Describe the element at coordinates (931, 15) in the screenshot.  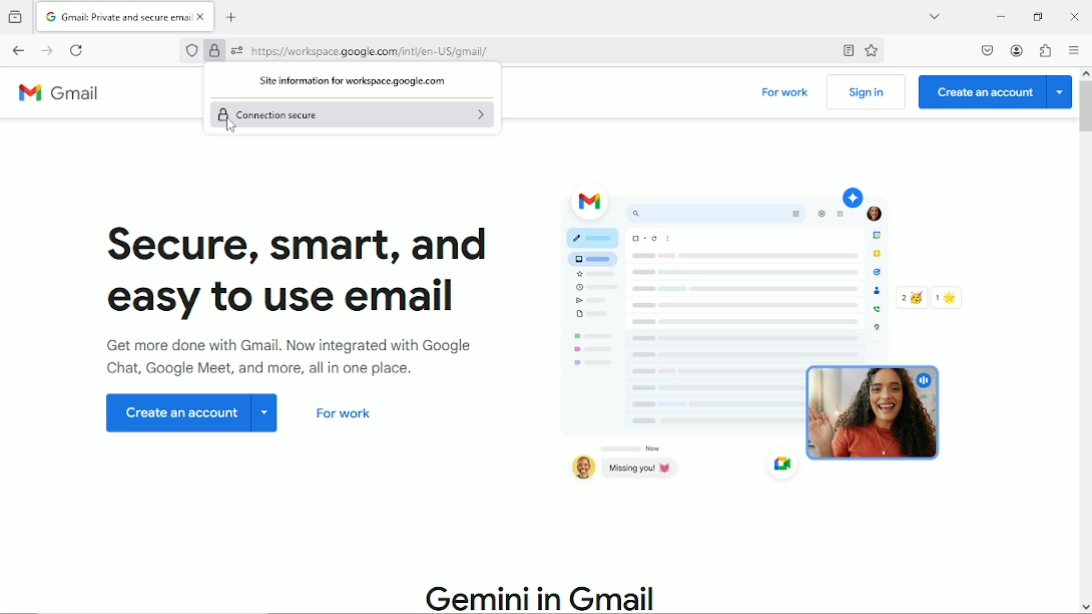
I see `List all tabs` at that location.